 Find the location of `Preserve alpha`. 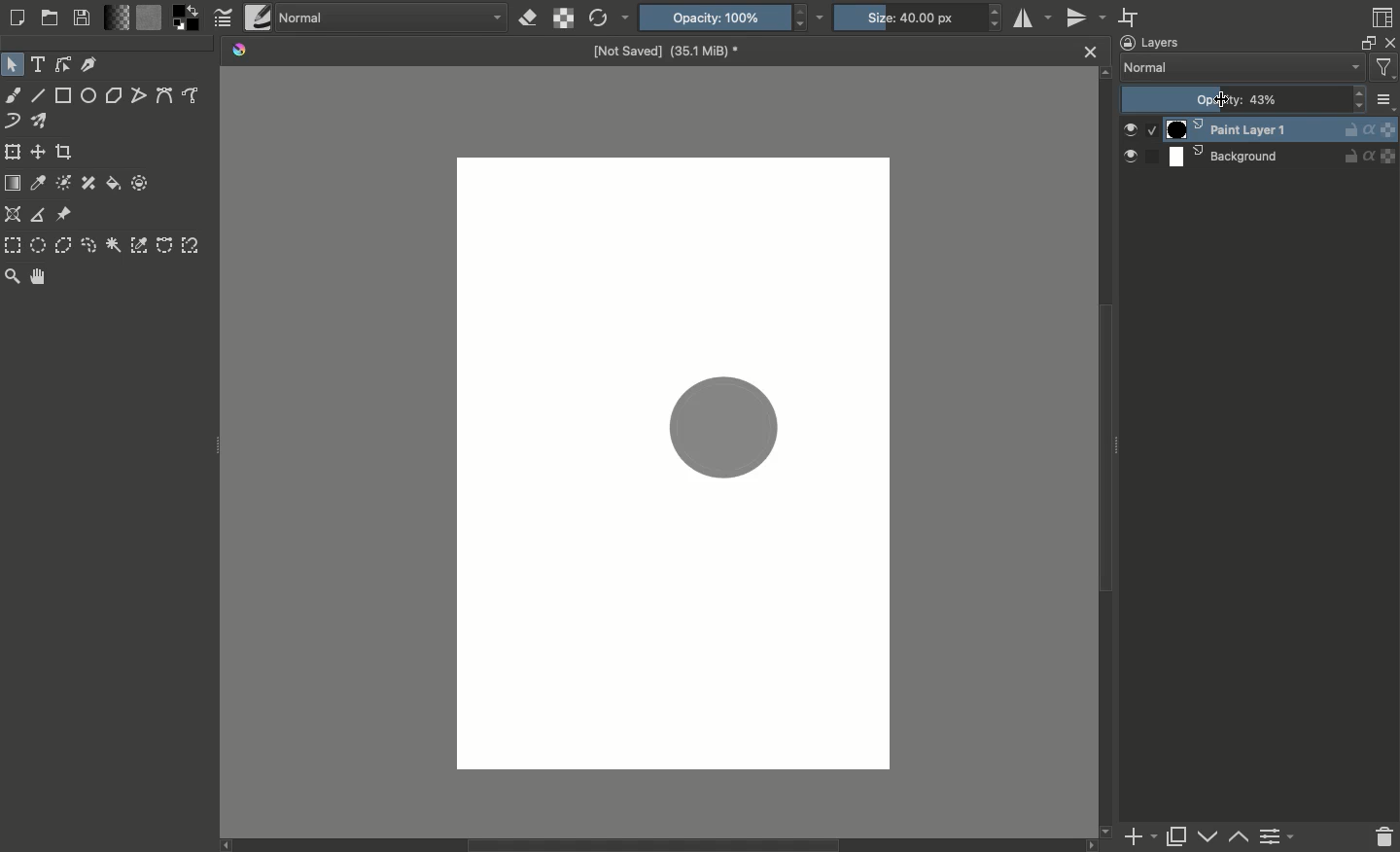

Preserve alpha is located at coordinates (565, 18).